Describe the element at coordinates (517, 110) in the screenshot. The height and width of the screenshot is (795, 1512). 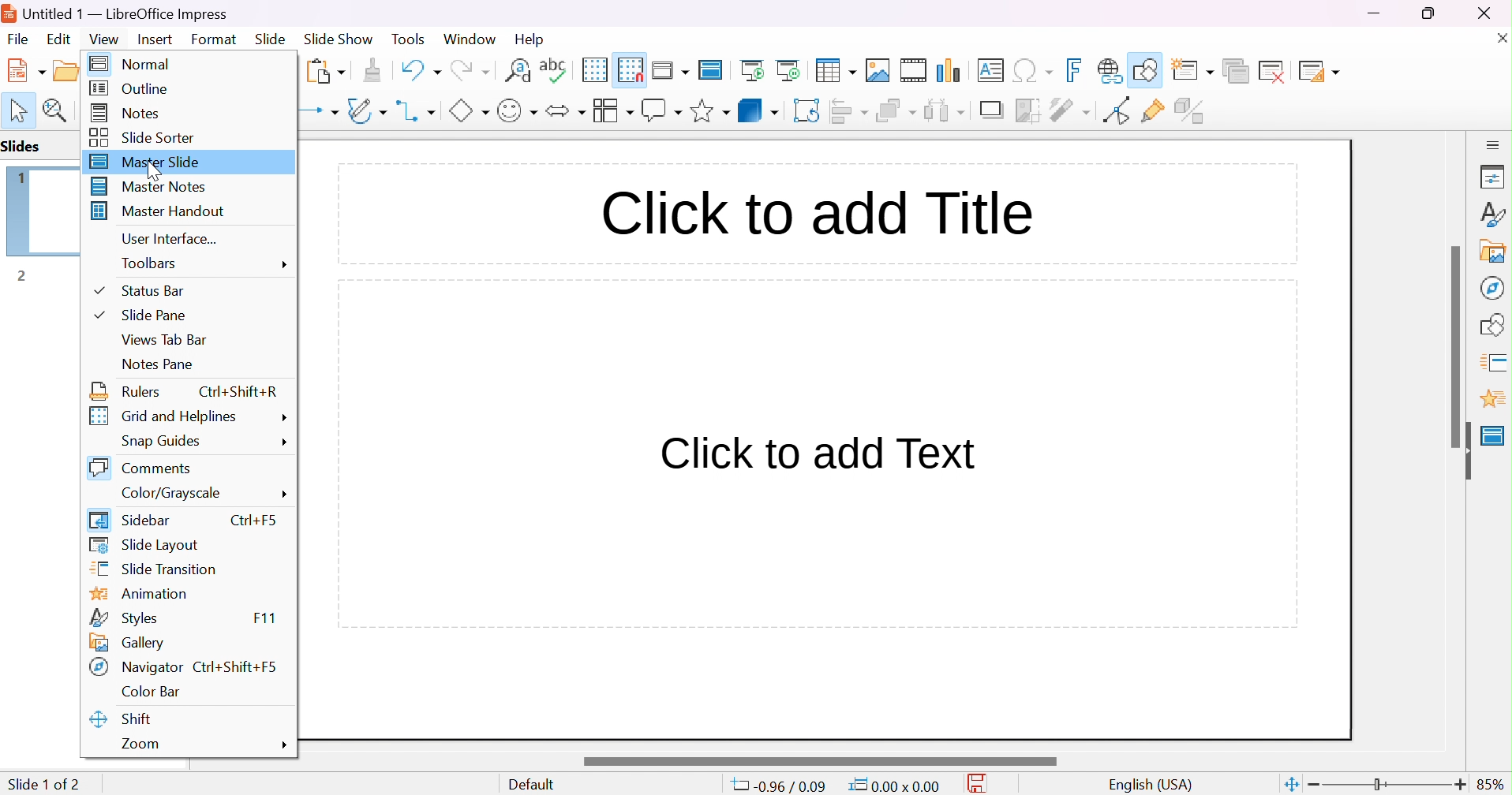
I see `symbol shapes` at that location.